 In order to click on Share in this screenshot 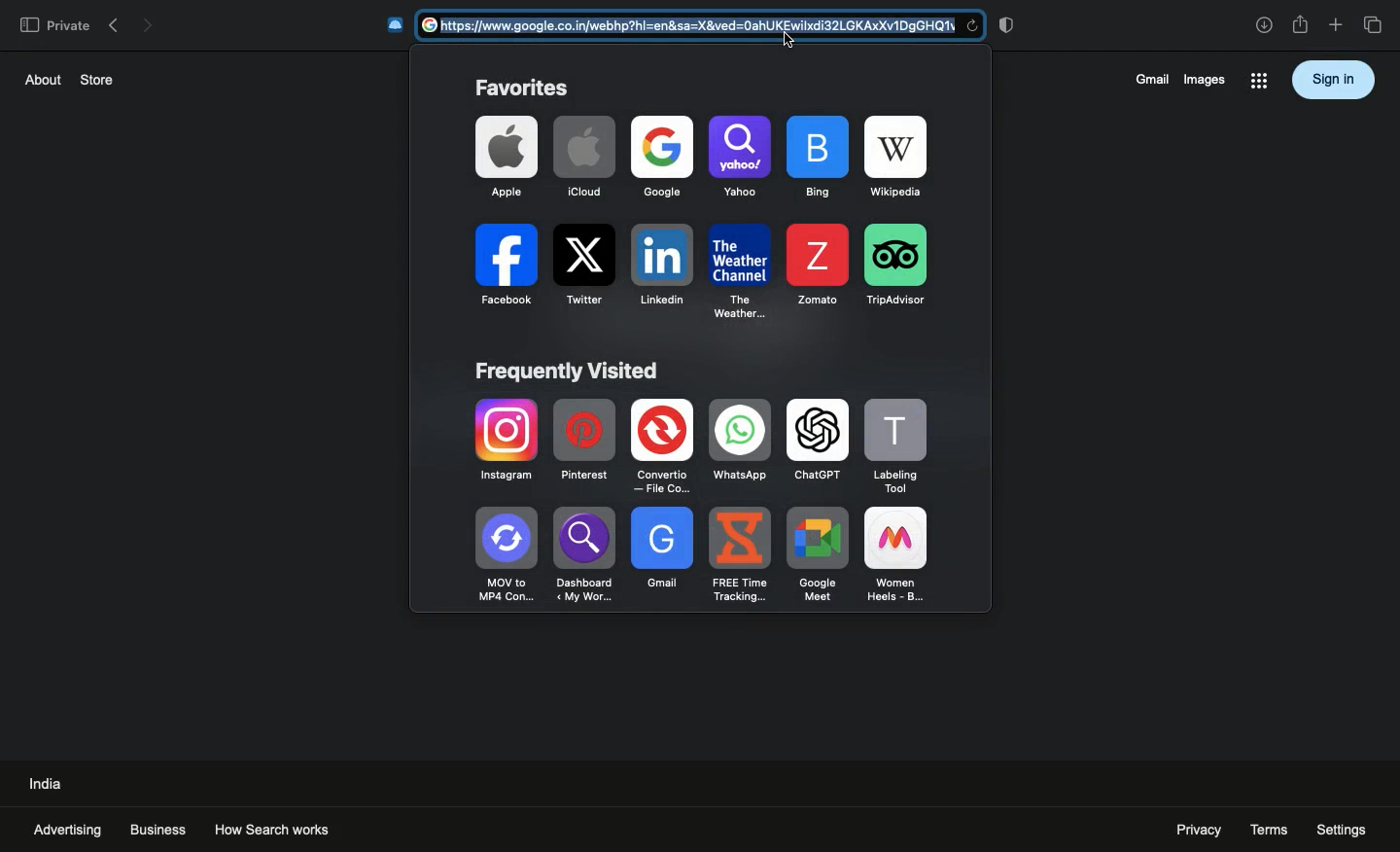, I will do `click(1301, 25)`.